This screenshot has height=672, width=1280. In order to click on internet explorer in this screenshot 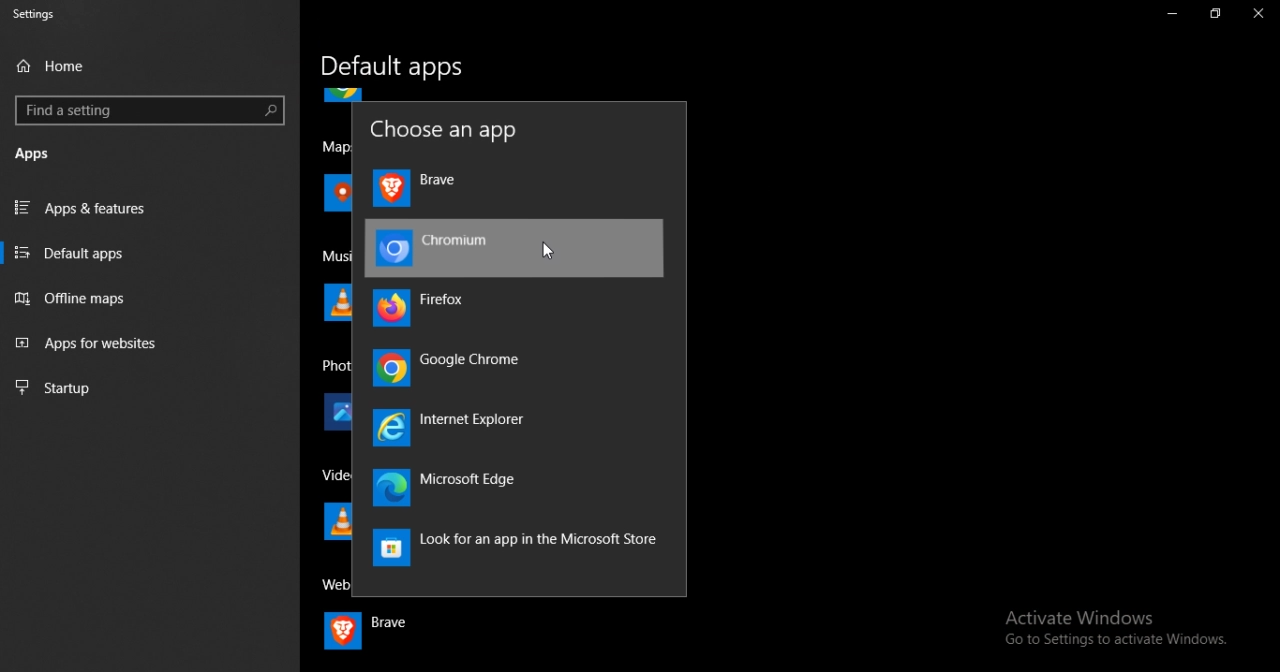, I will do `click(464, 429)`.